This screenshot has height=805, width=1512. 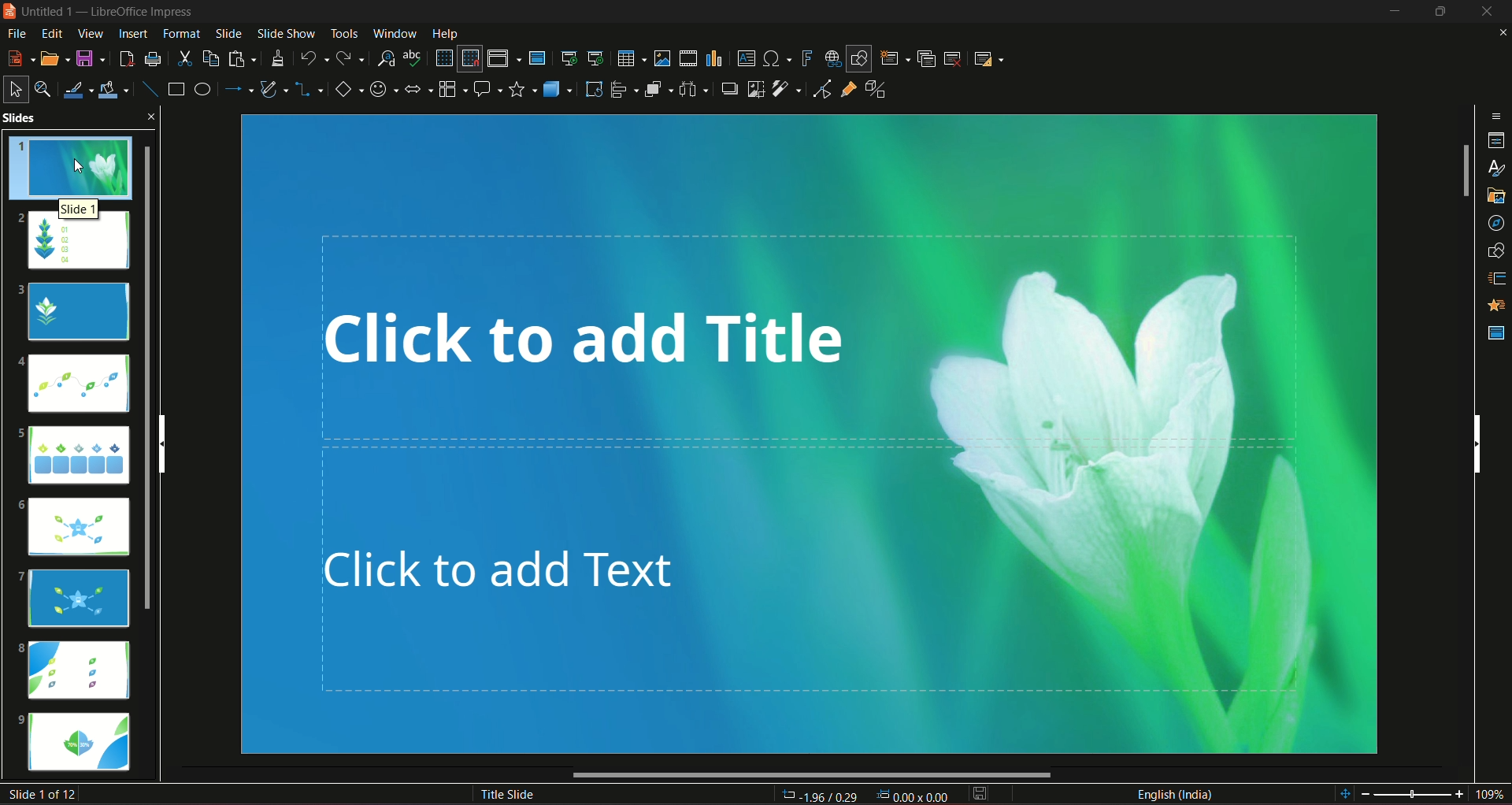 What do you see at coordinates (848, 91) in the screenshot?
I see `show gluepoint function` at bounding box center [848, 91].